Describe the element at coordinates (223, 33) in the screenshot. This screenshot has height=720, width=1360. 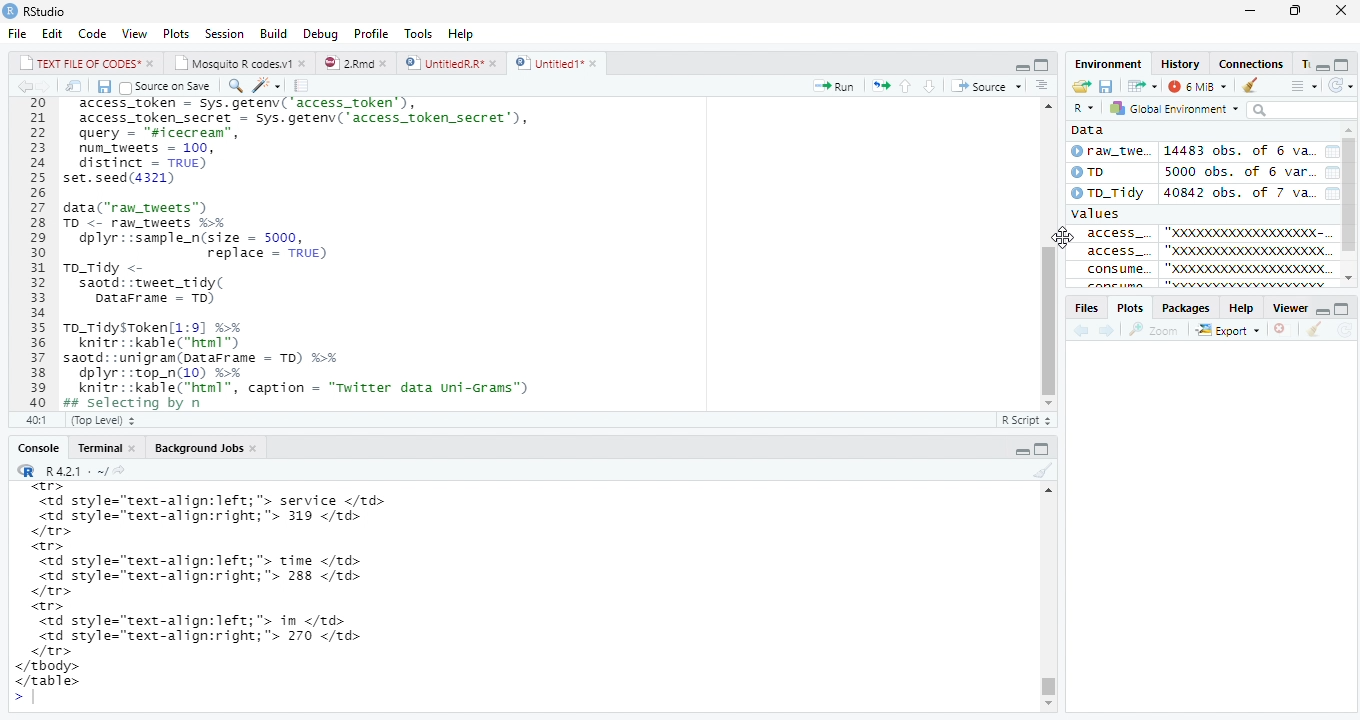
I see `Session` at that location.